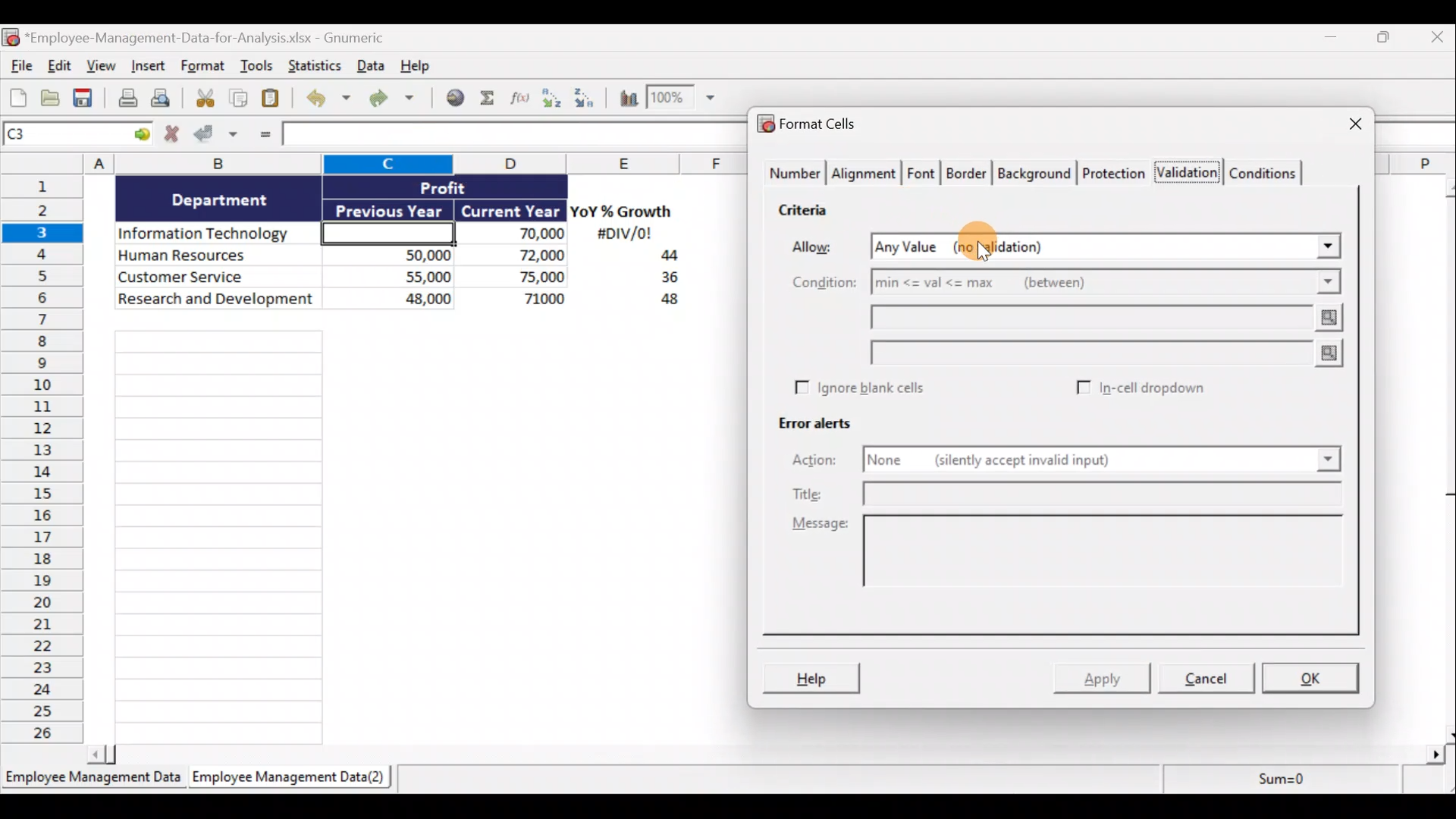  What do you see at coordinates (172, 136) in the screenshot?
I see `Cancel changes` at bounding box center [172, 136].